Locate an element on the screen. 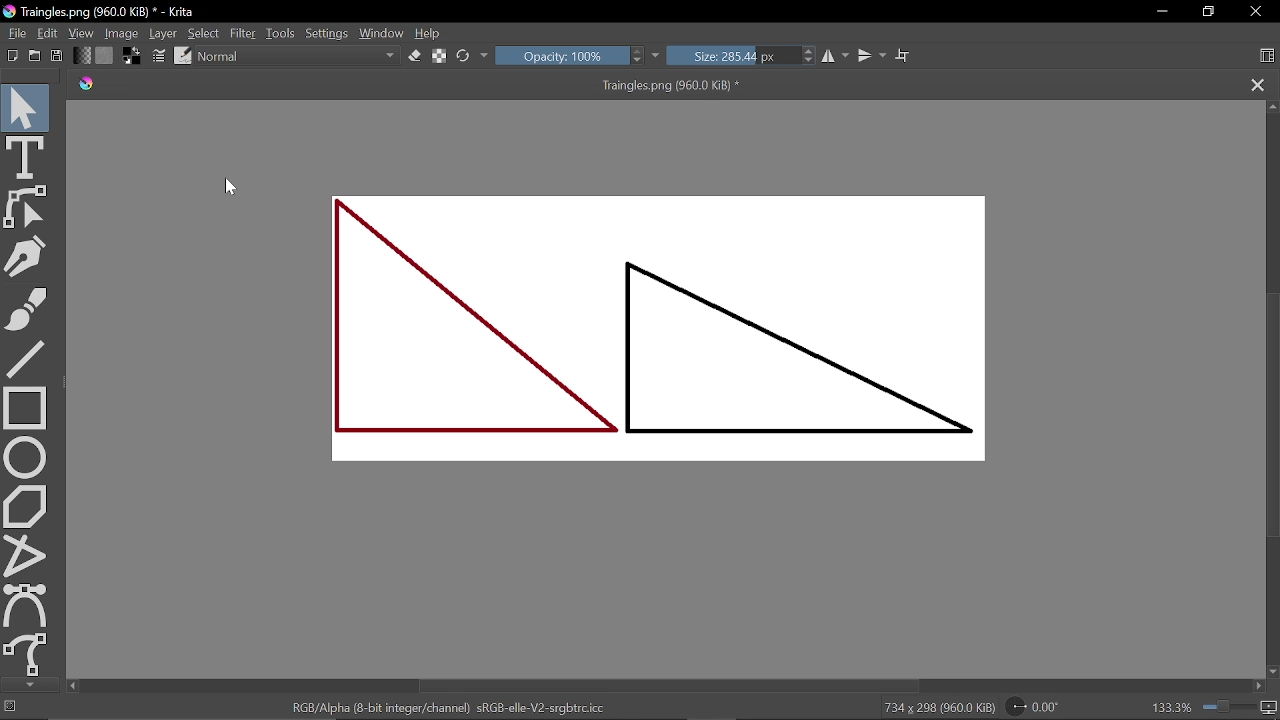  Layer is located at coordinates (162, 33).